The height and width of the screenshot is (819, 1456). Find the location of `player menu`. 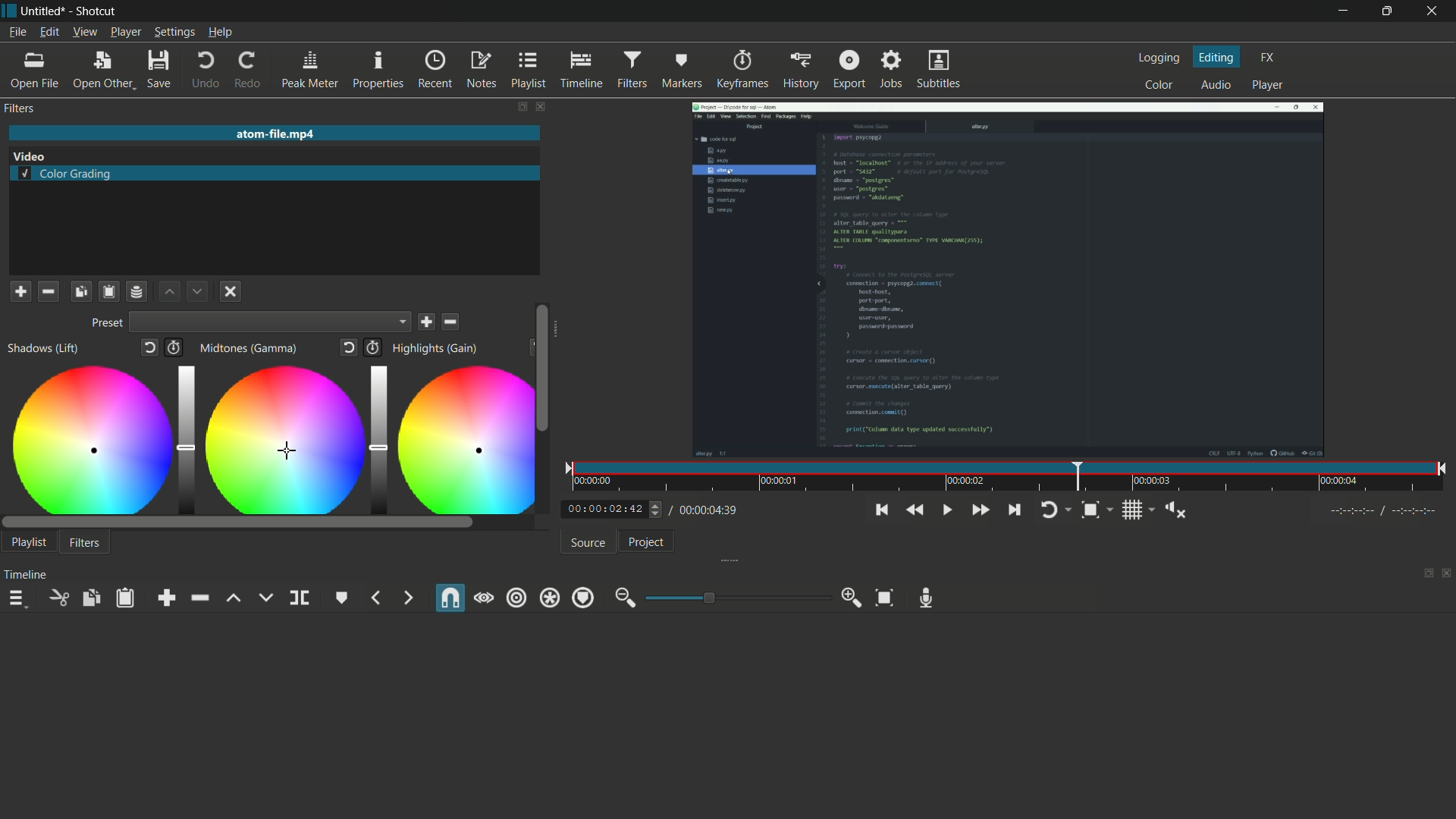

player menu is located at coordinates (125, 32).